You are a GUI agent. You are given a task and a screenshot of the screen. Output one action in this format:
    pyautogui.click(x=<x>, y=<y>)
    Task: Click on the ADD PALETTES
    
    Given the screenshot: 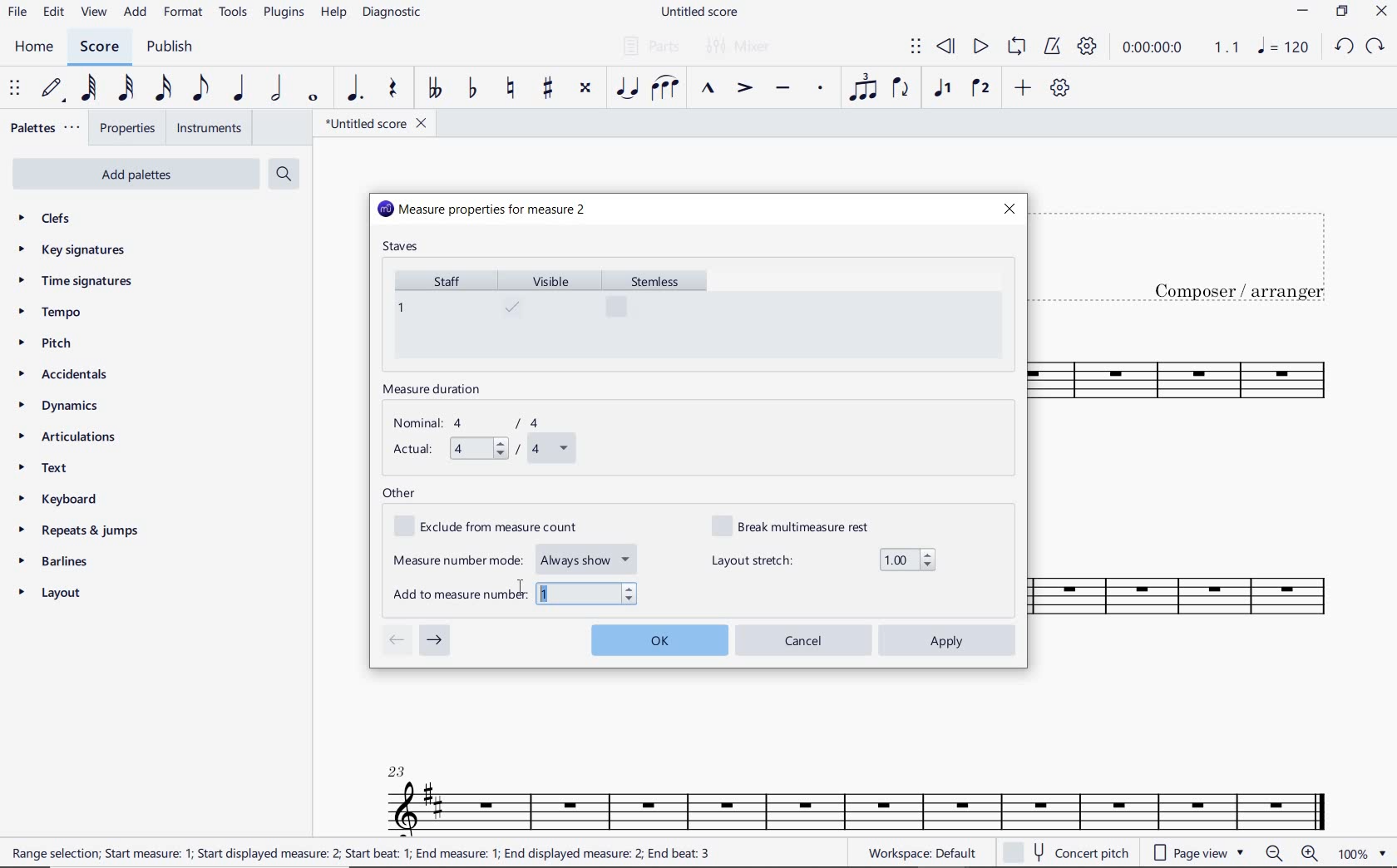 What is the action you would take?
    pyautogui.click(x=134, y=173)
    